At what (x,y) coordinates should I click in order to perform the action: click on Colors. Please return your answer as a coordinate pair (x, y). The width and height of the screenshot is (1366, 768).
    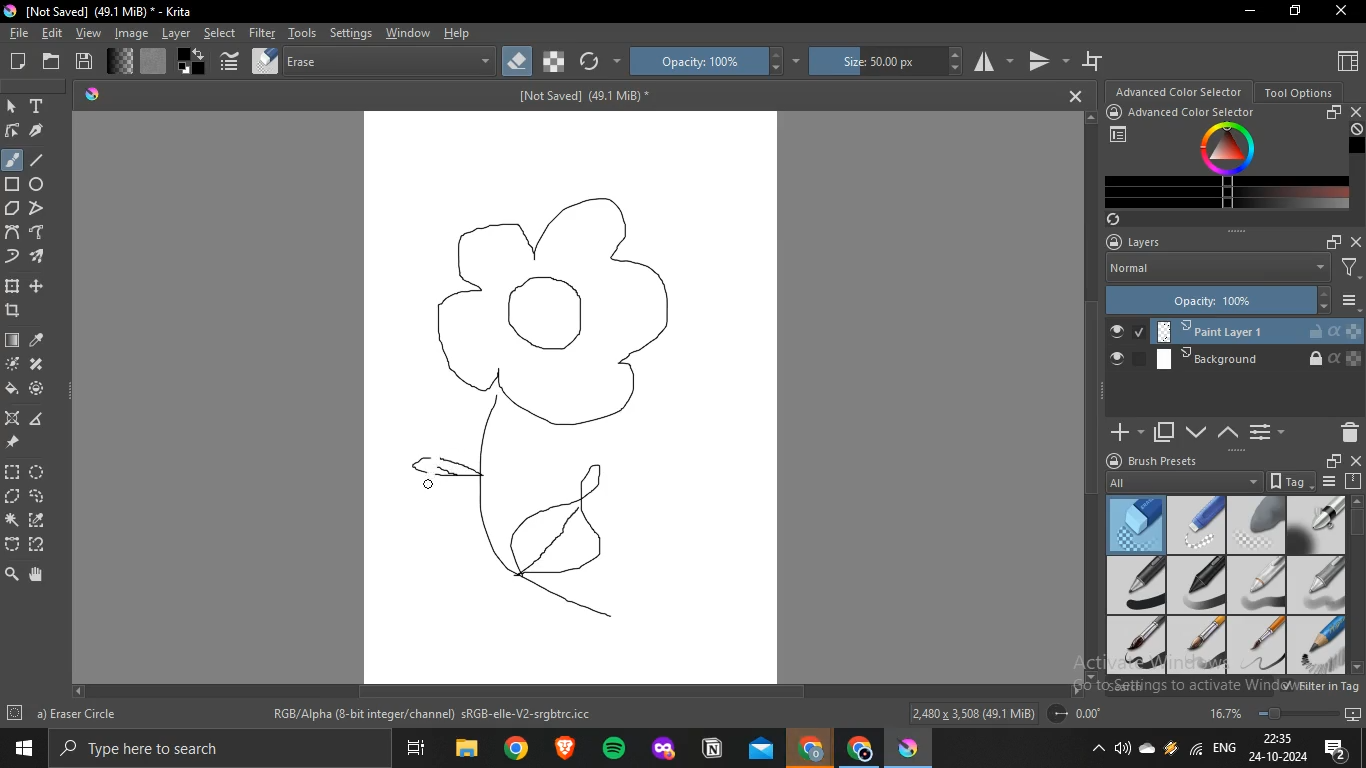
    Looking at the image, I should click on (1230, 151).